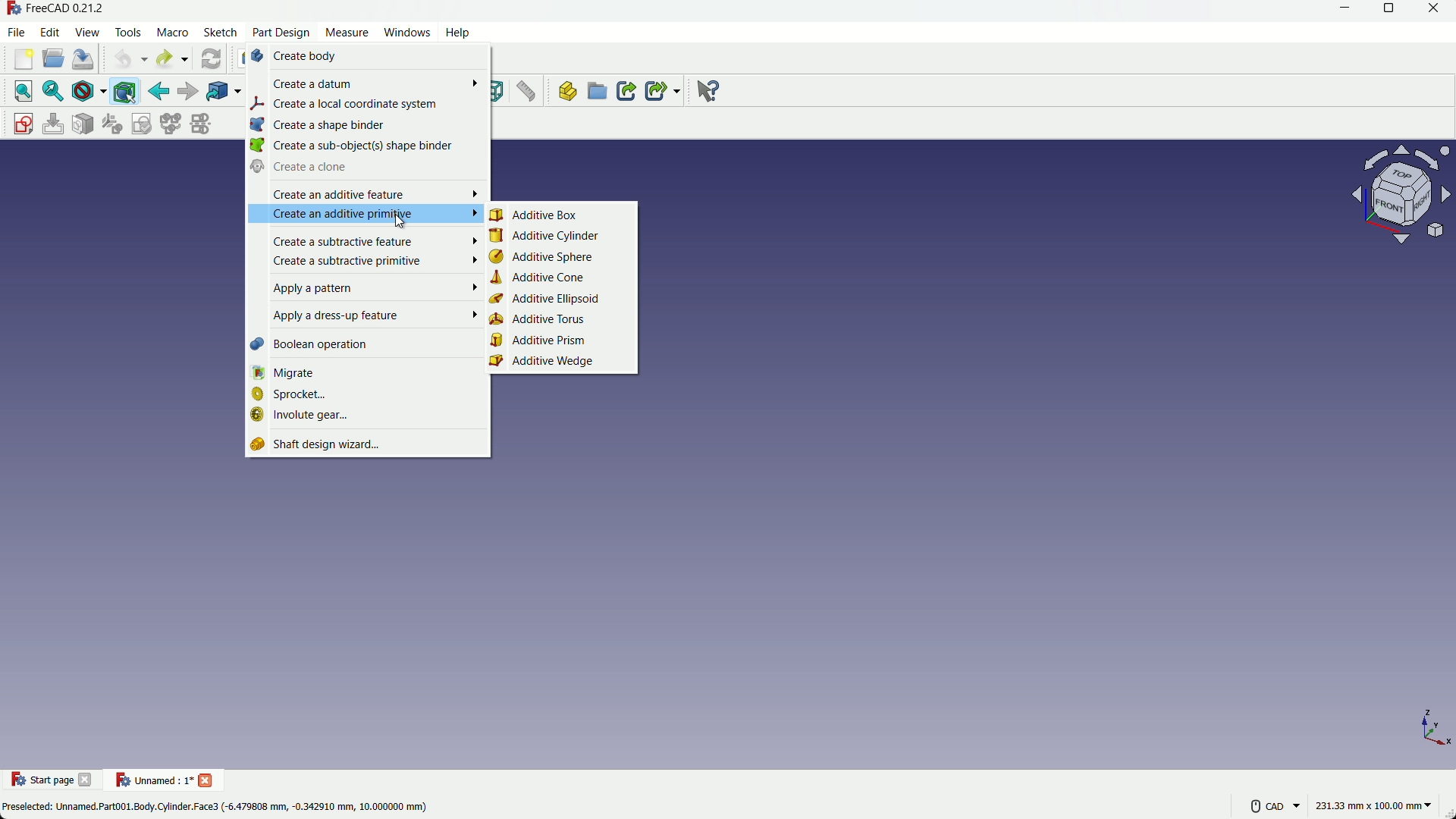 This screenshot has height=819, width=1456. Describe the element at coordinates (560, 258) in the screenshot. I see `additive sphere` at that location.